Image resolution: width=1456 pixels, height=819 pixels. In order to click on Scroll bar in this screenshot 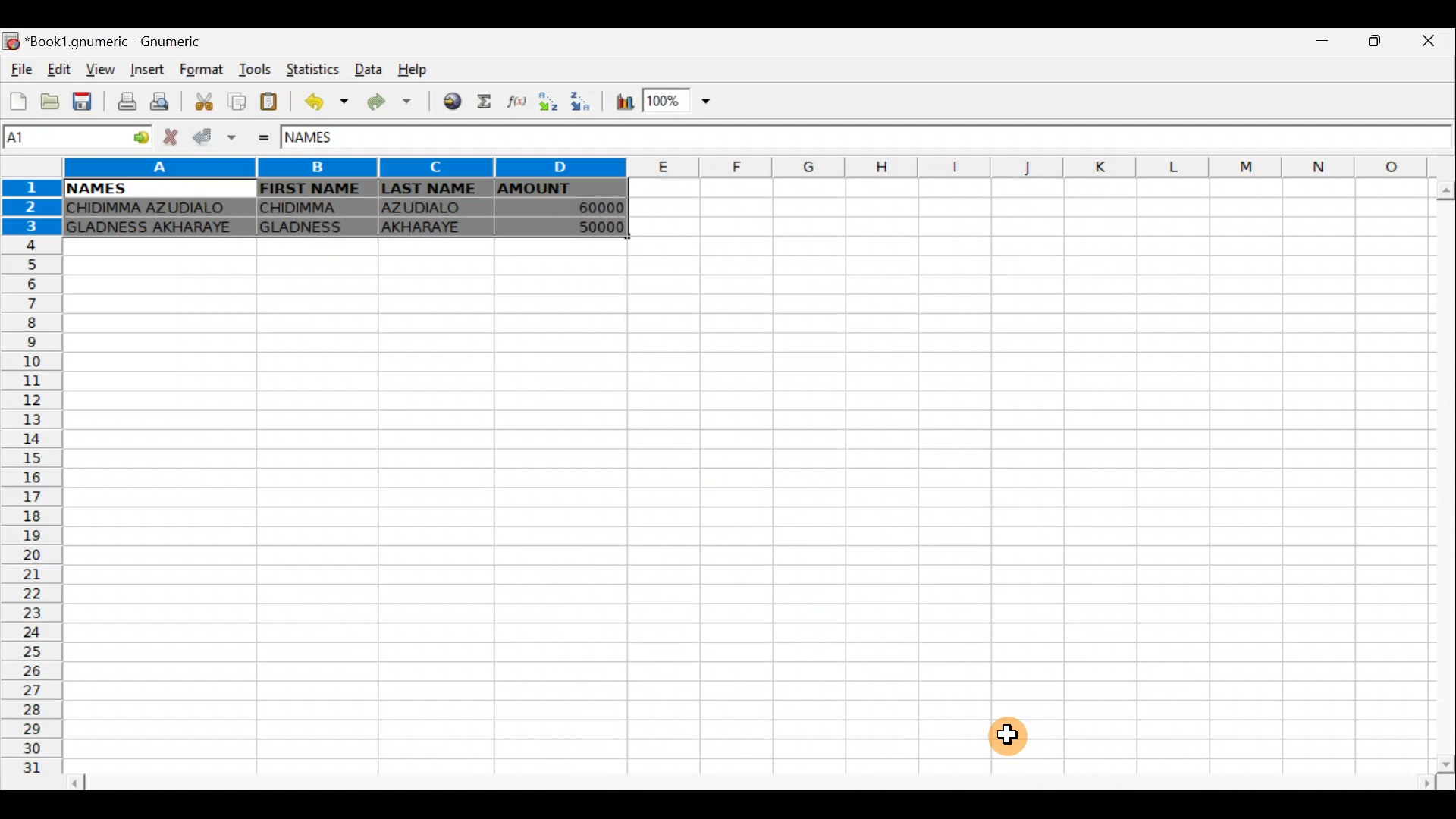, I will do `click(749, 780)`.